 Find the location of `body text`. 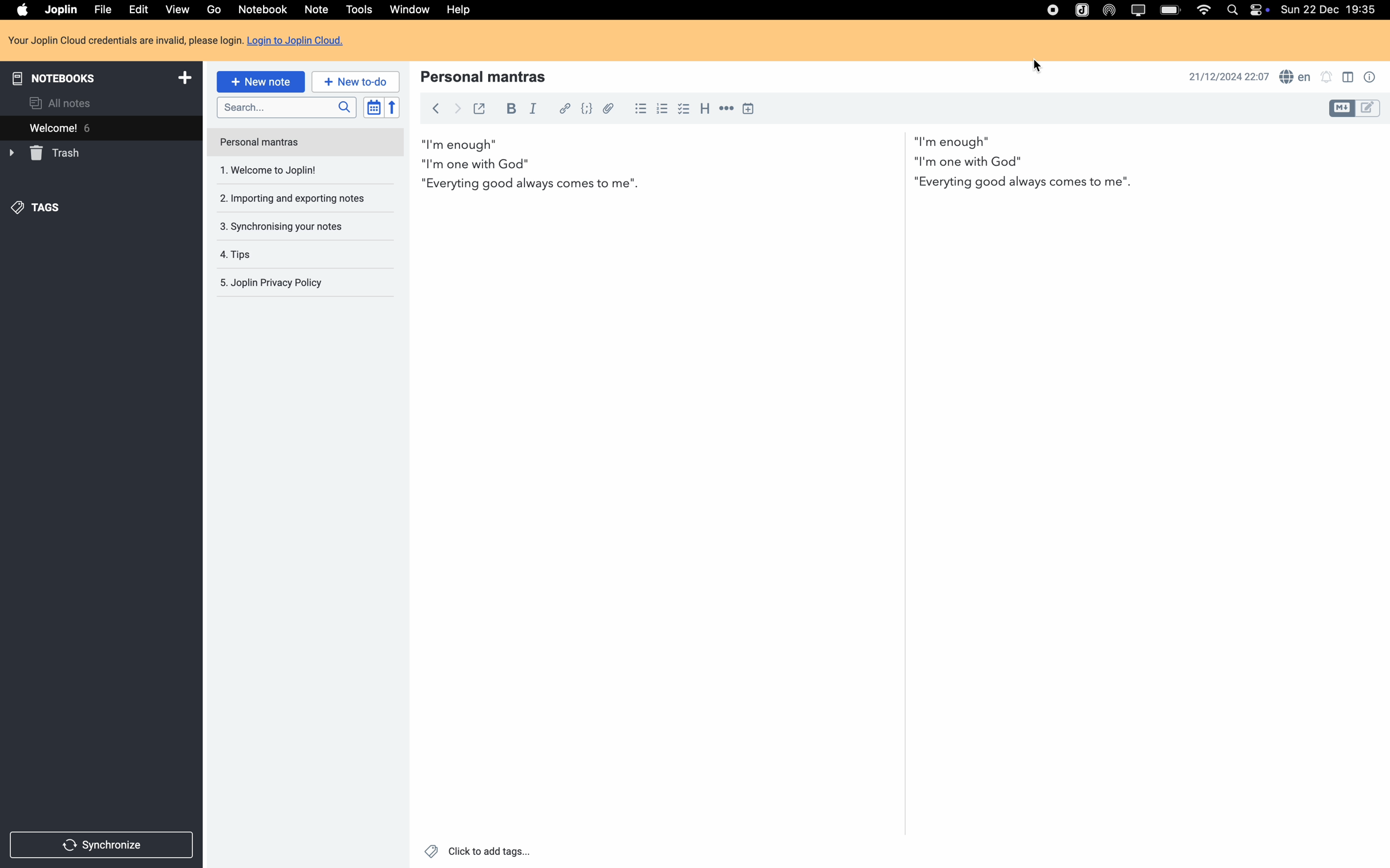

body text is located at coordinates (778, 161).